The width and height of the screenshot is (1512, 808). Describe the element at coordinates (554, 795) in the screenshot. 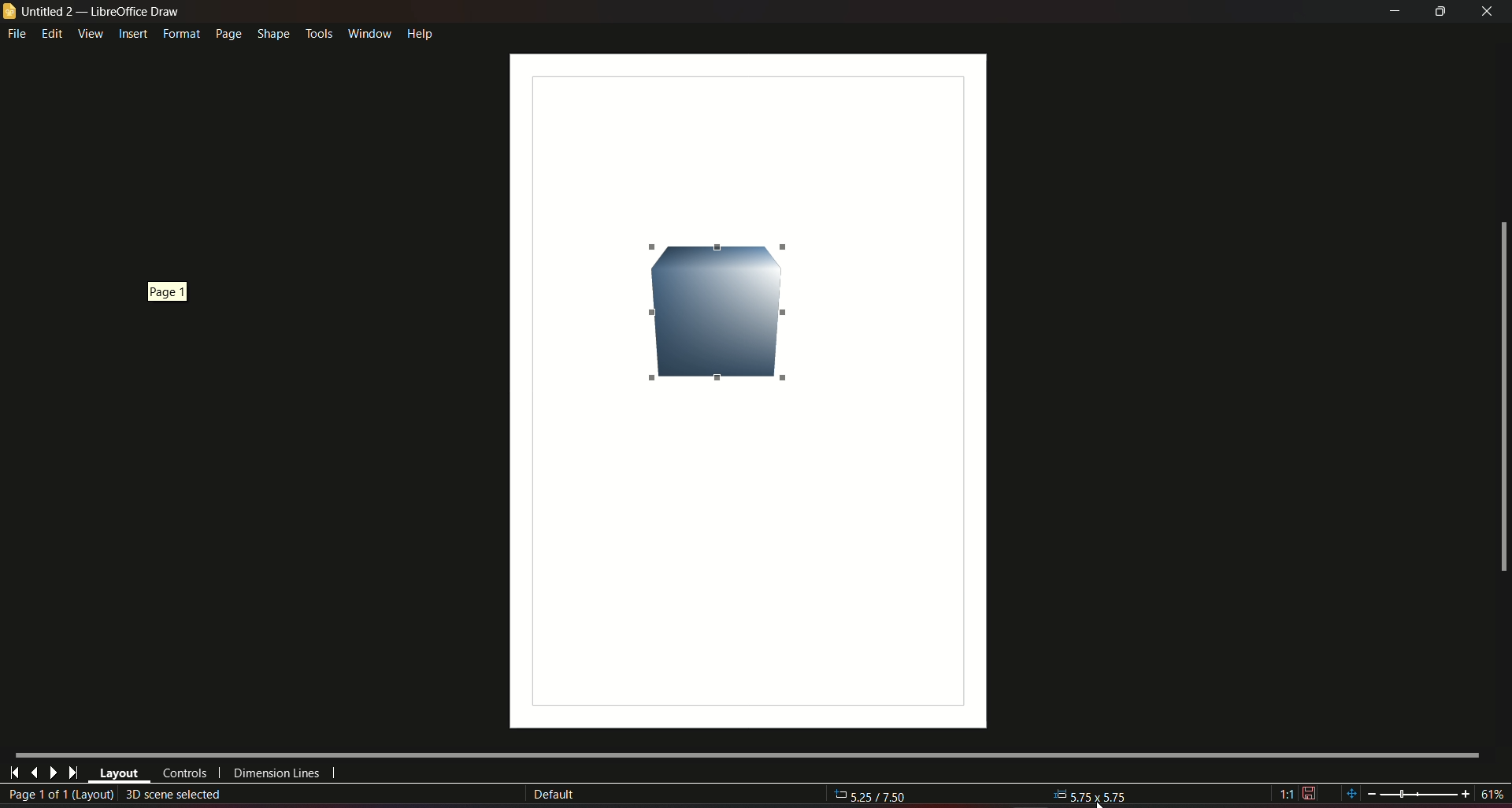

I see `Default` at that location.